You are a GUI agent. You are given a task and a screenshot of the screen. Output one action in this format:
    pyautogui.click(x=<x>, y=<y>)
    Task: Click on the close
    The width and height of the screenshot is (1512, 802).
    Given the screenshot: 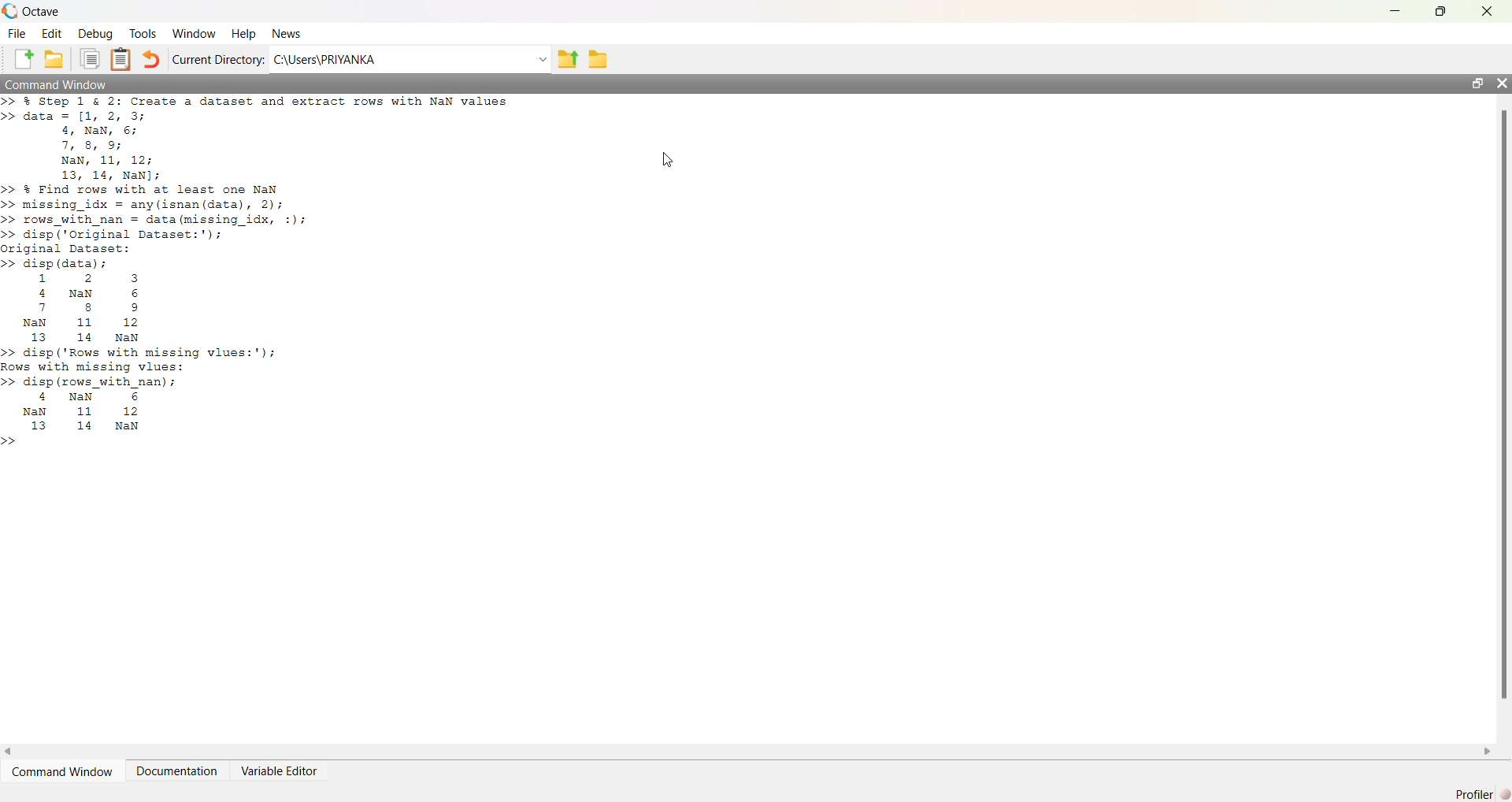 What is the action you would take?
    pyautogui.click(x=1501, y=83)
    